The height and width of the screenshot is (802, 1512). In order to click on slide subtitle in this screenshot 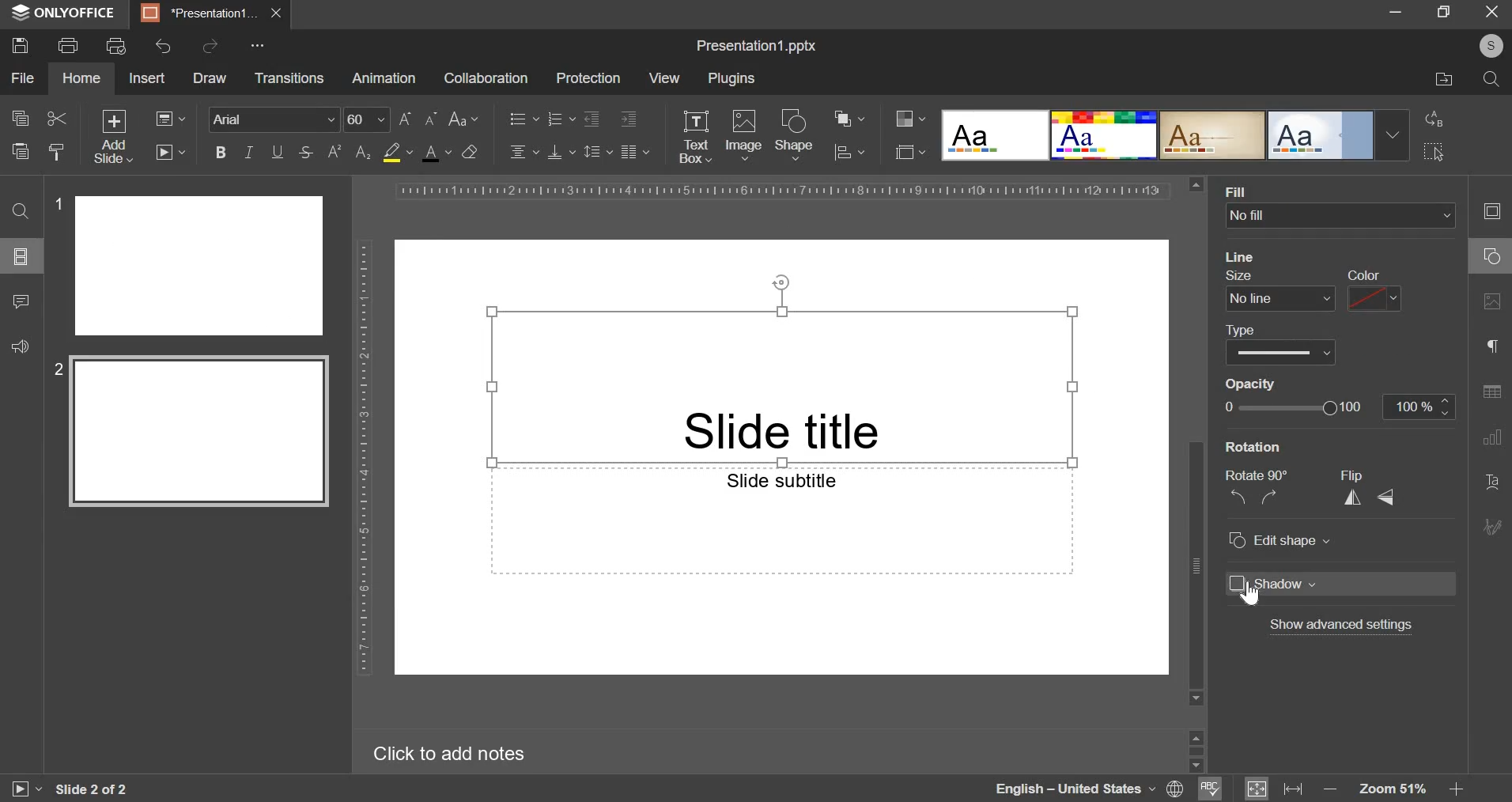, I will do `click(781, 520)`.